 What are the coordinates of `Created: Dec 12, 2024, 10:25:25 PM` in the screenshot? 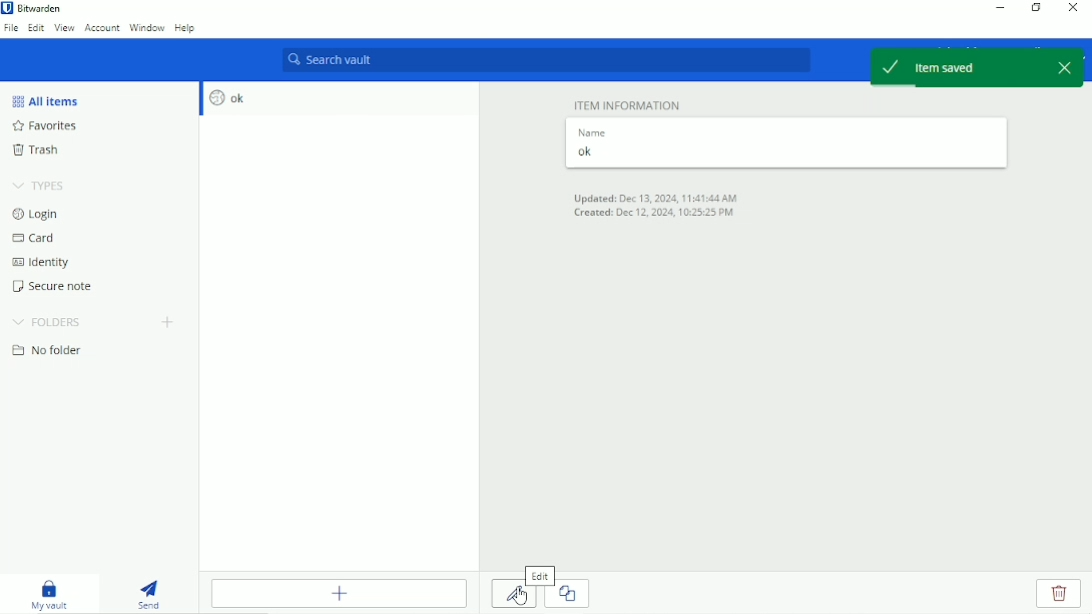 It's located at (656, 214).